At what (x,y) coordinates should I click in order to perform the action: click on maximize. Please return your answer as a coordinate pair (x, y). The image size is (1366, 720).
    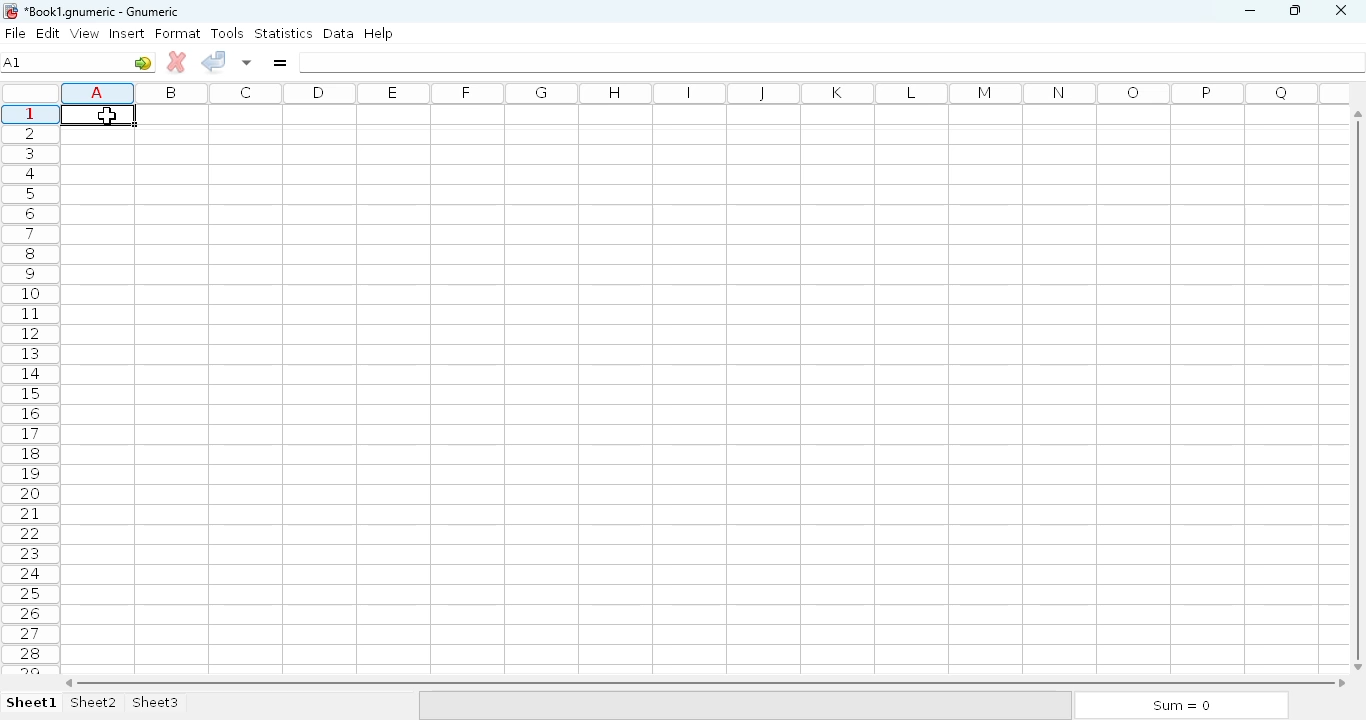
    Looking at the image, I should click on (1294, 9).